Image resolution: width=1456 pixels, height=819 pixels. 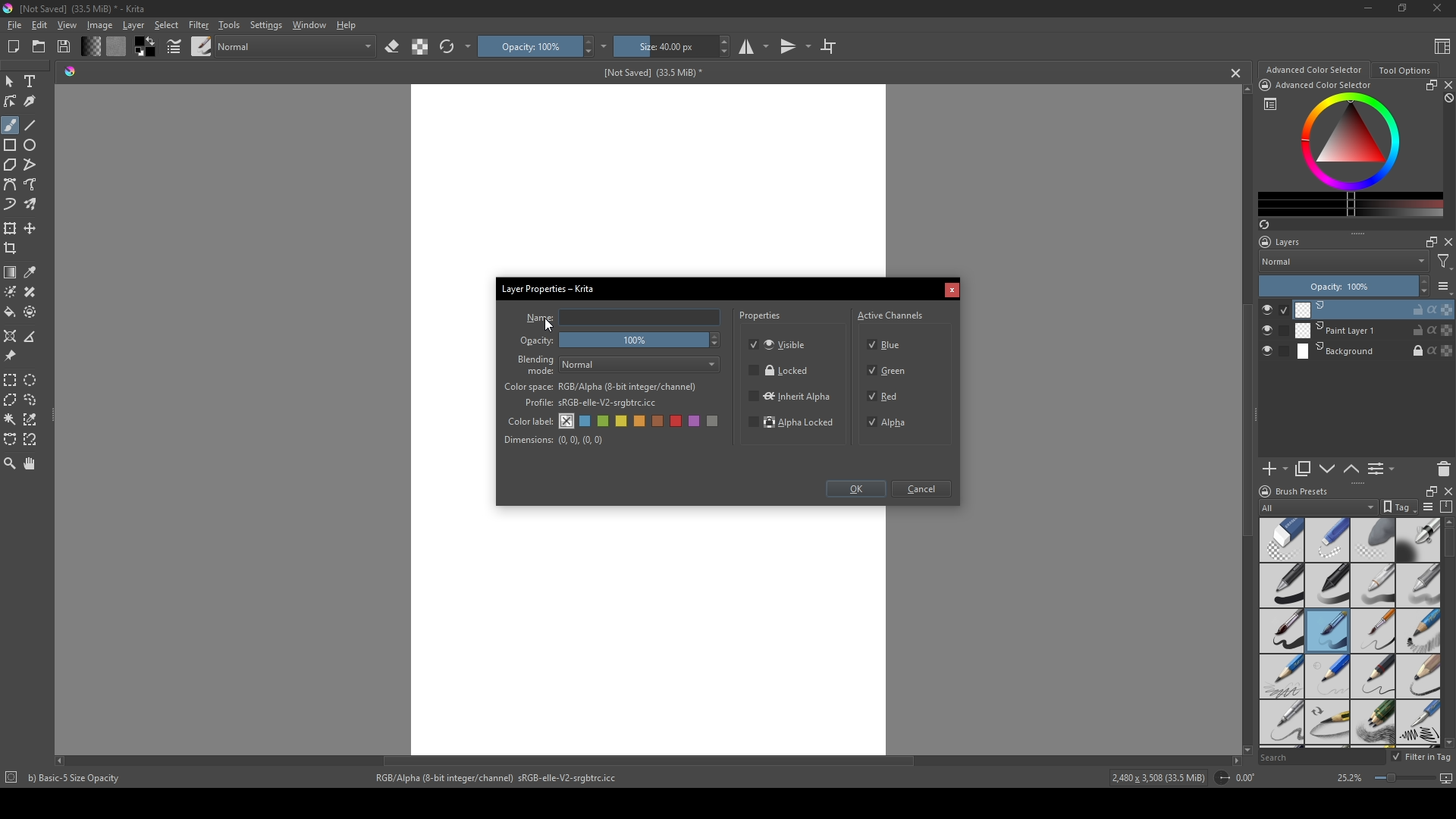 What do you see at coordinates (1447, 85) in the screenshot?
I see `close` at bounding box center [1447, 85].